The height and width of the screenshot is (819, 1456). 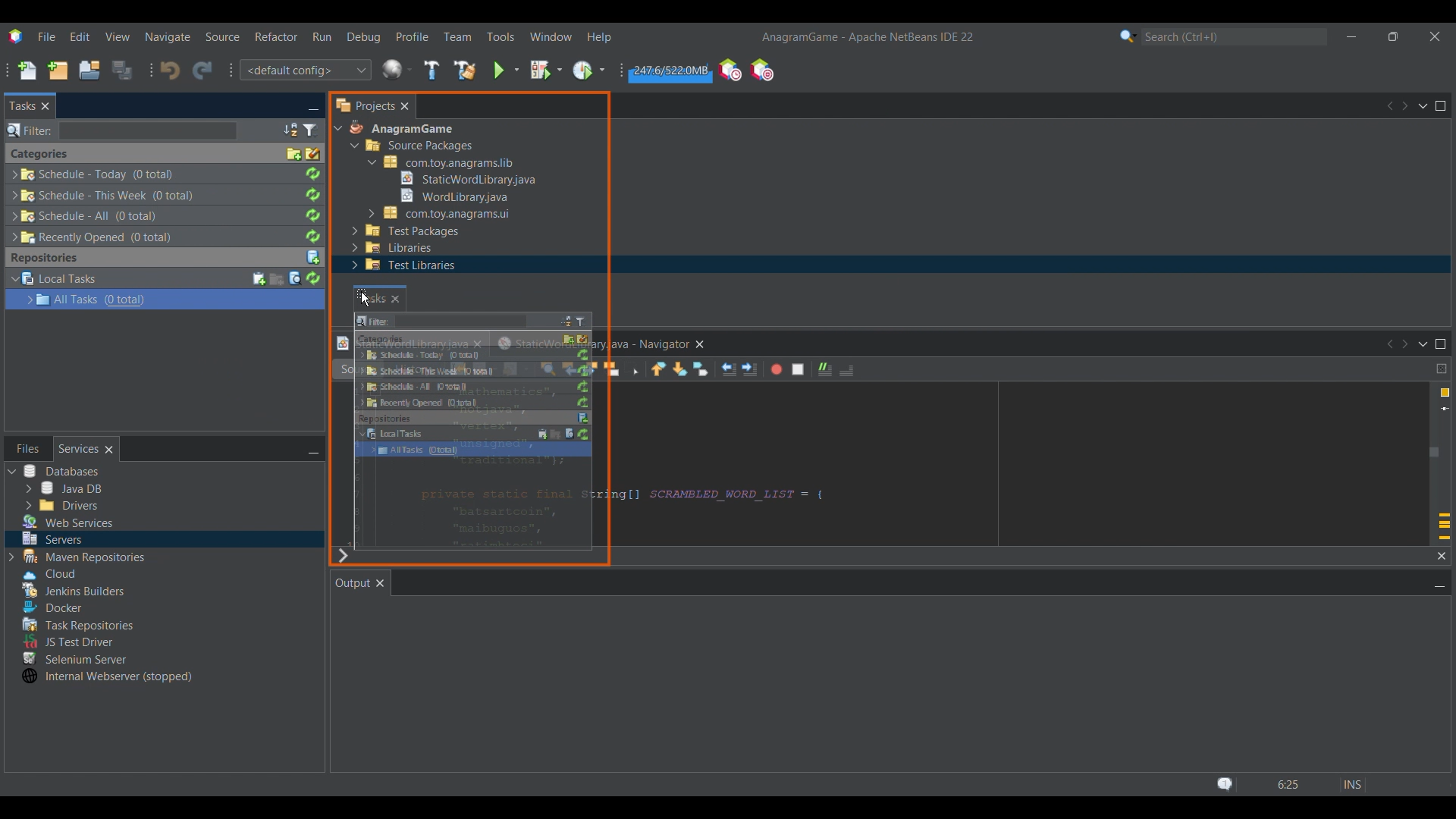 What do you see at coordinates (551, 36) in the screenshot?
I see `Window menu` at bounding box center [551, 36].